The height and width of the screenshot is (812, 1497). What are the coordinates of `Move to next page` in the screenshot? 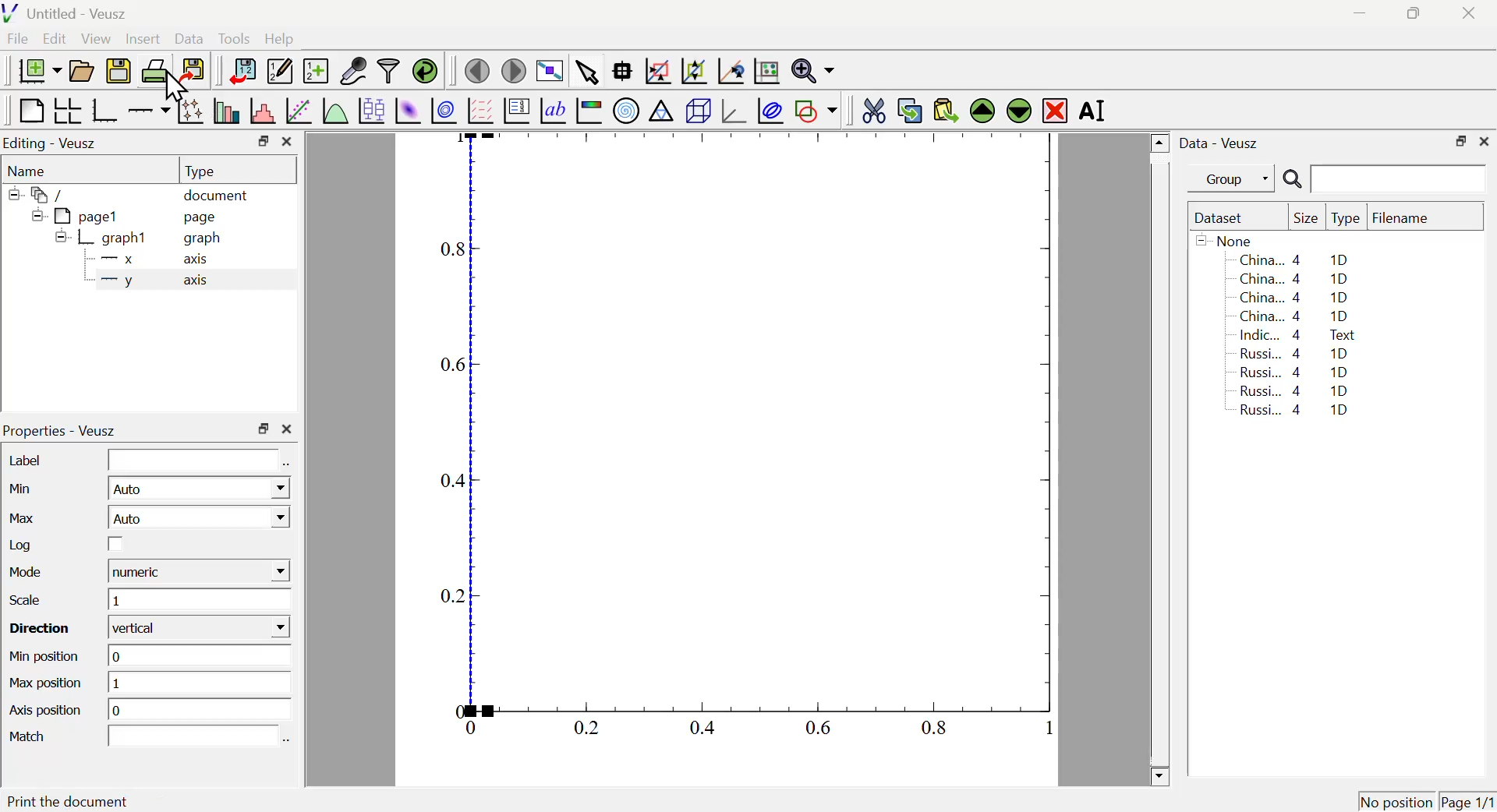 It's located at (515, 71).